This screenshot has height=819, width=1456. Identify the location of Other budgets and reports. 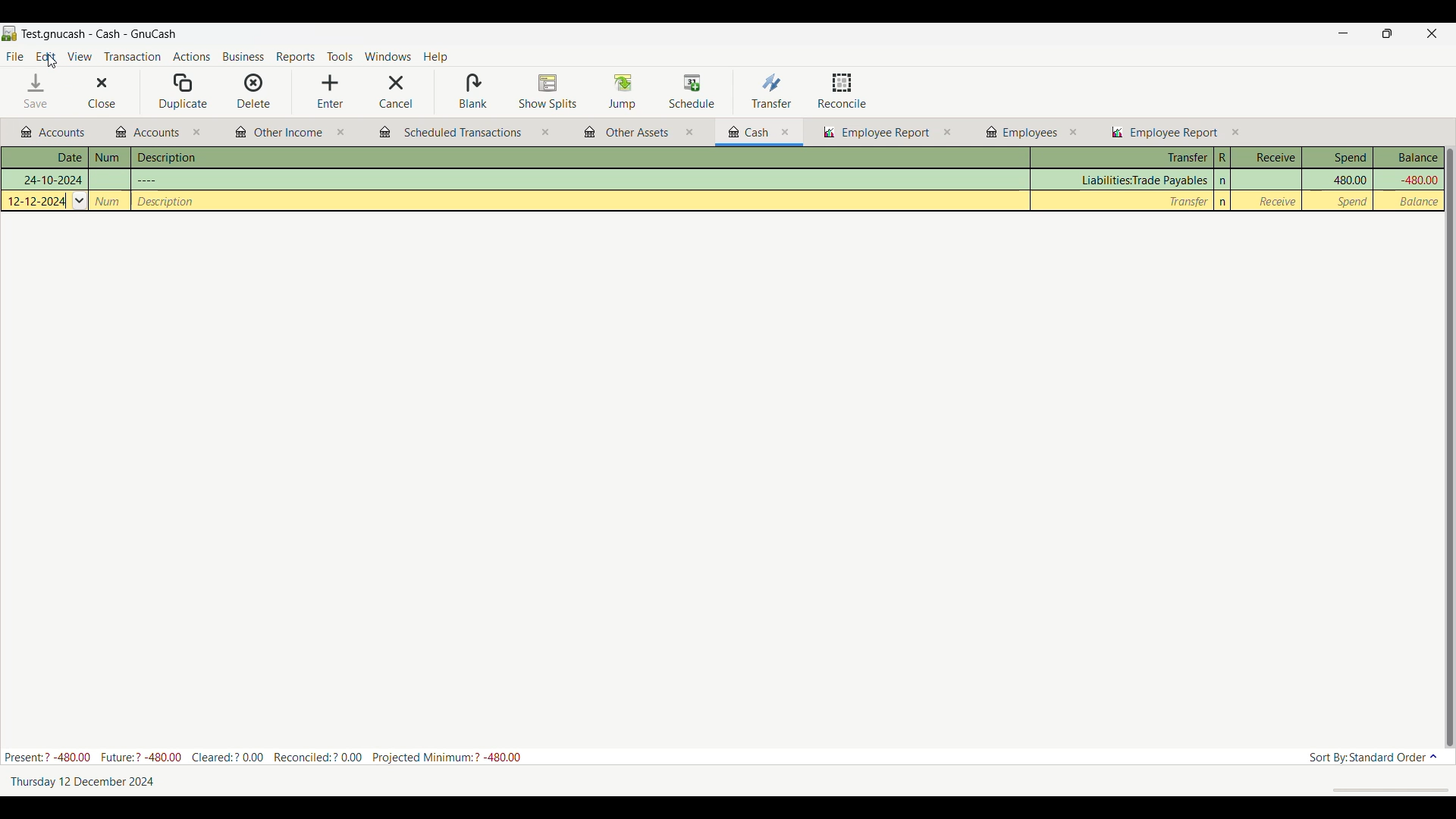
(52, 133).